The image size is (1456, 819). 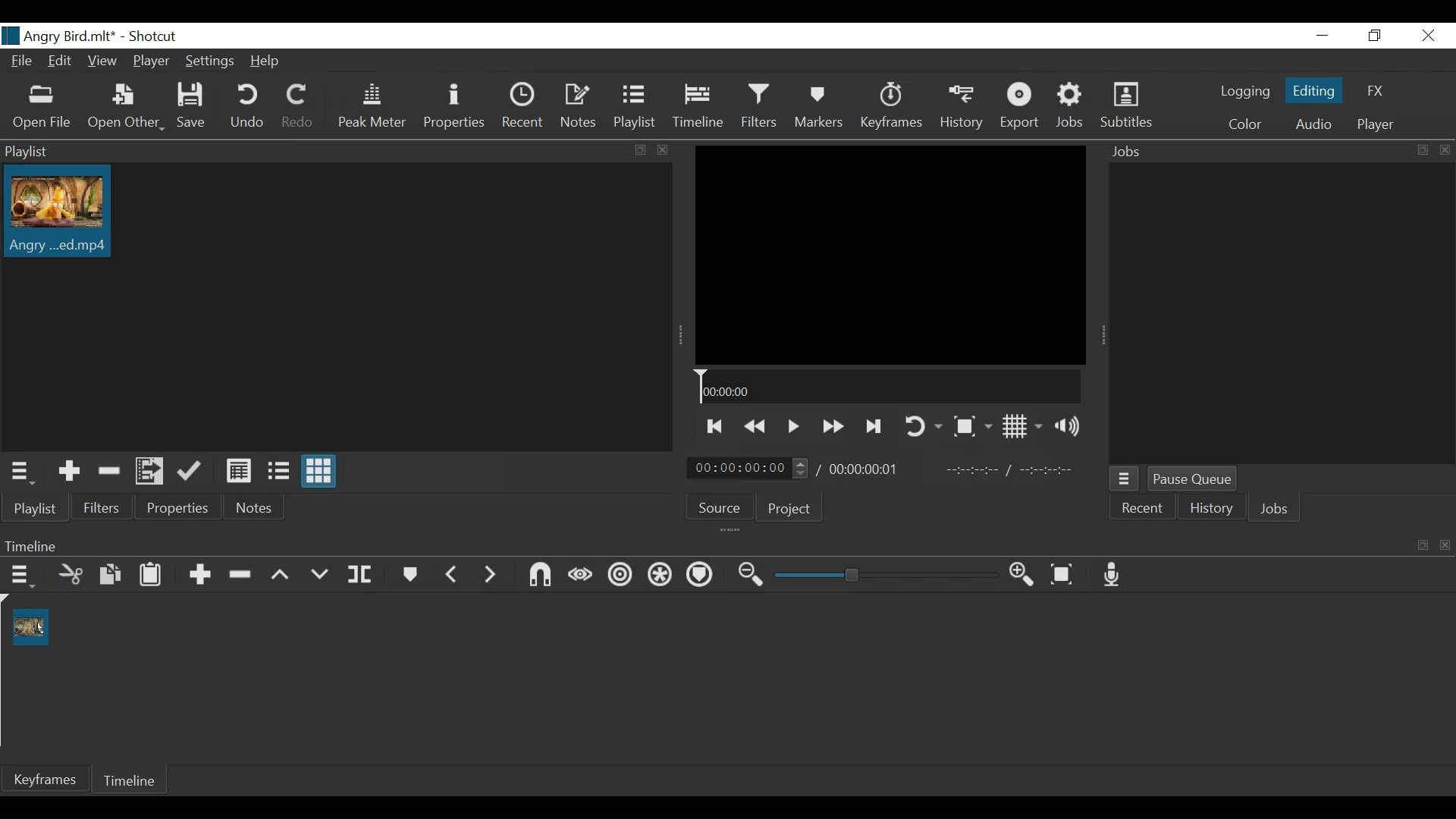 What do you see at coordinates (1111, 574) in the screenshot?
I see `Record audio` at bounding box center [1111, 574].